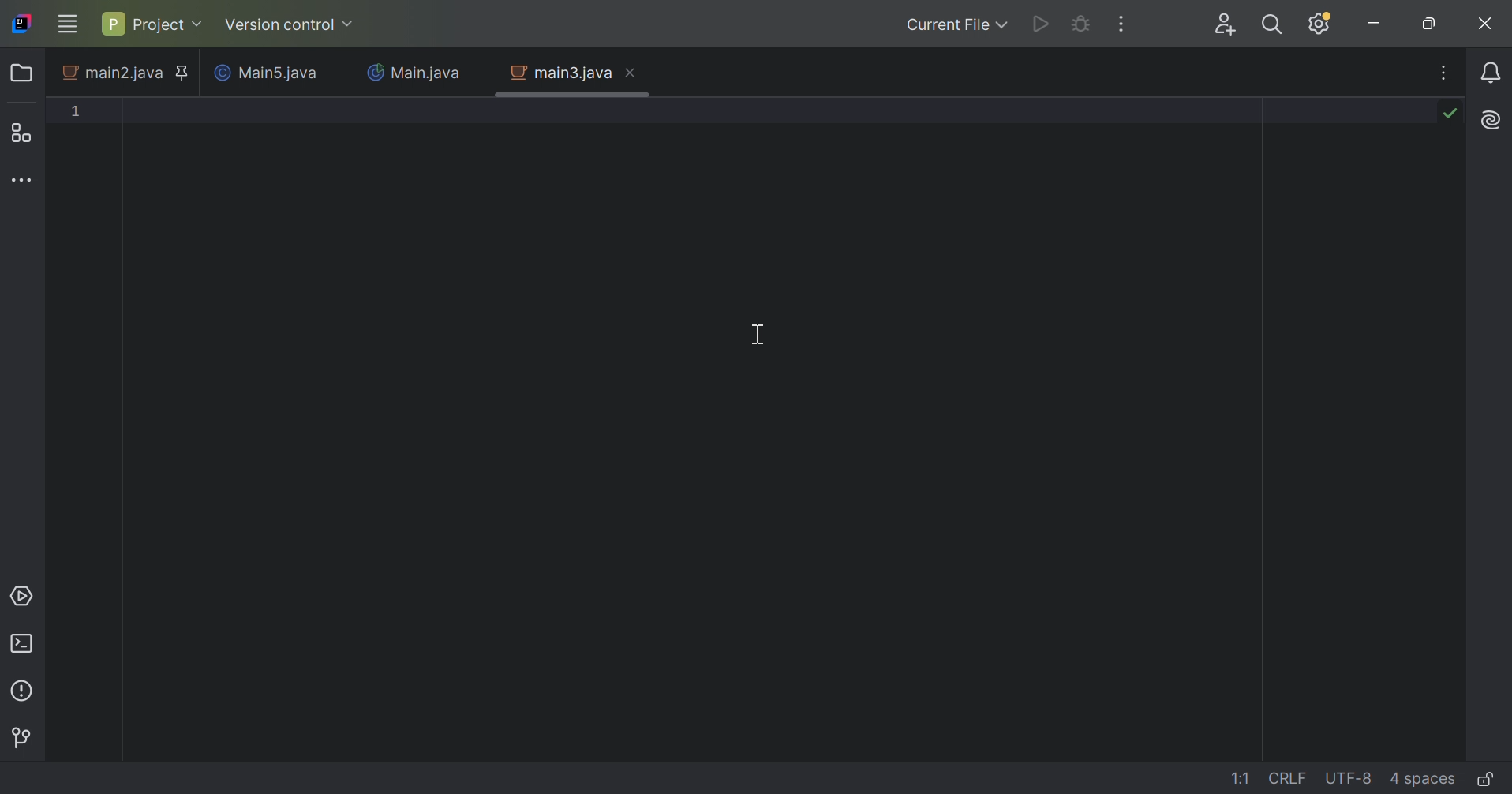 The width and height of the screenshot is (1512, 794). What do you see at coordinates (286, 26) in the screenshot?
I see `Version control` at bounding box center [286, 26].